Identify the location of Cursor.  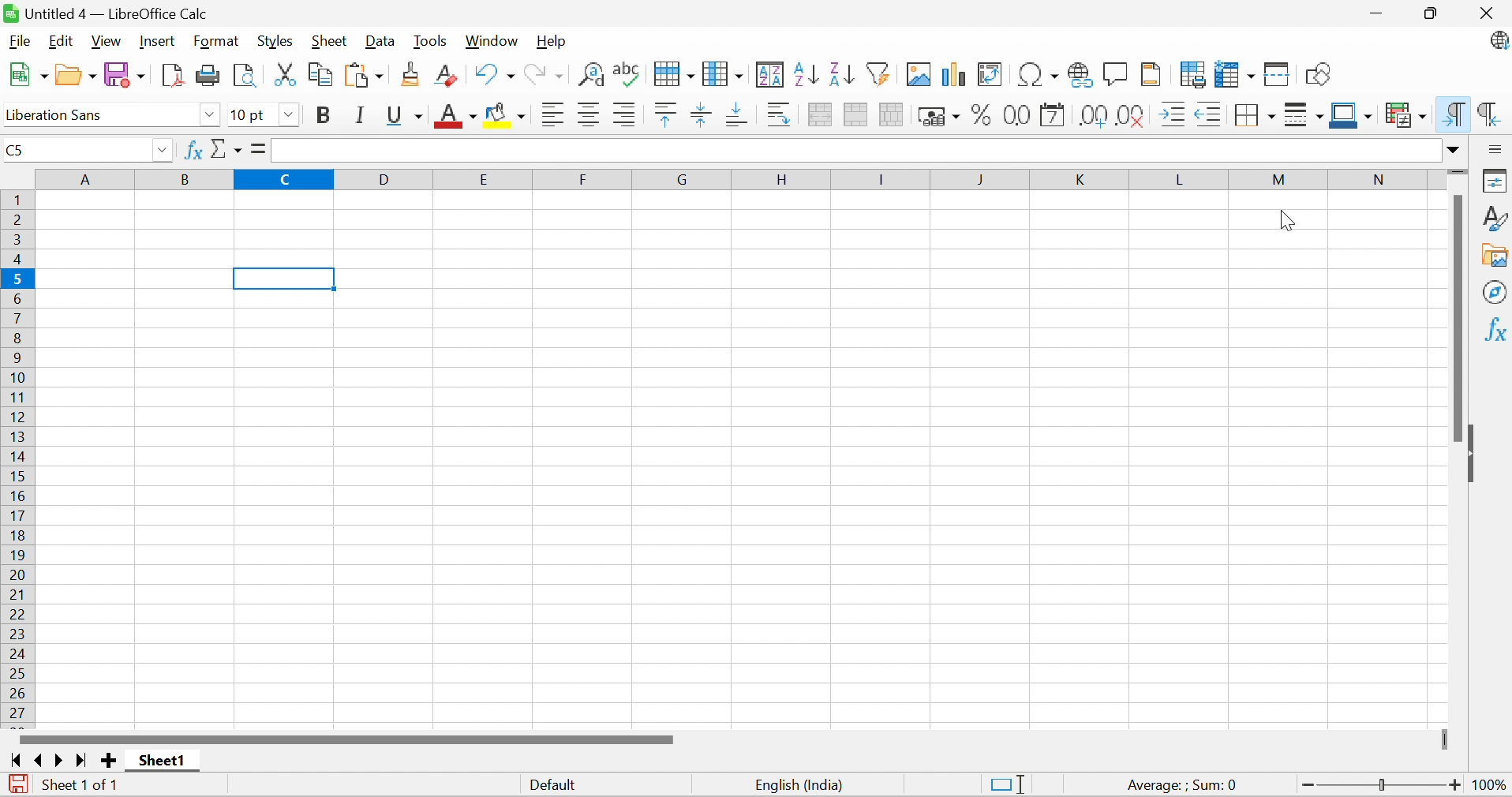
(1286, 220).